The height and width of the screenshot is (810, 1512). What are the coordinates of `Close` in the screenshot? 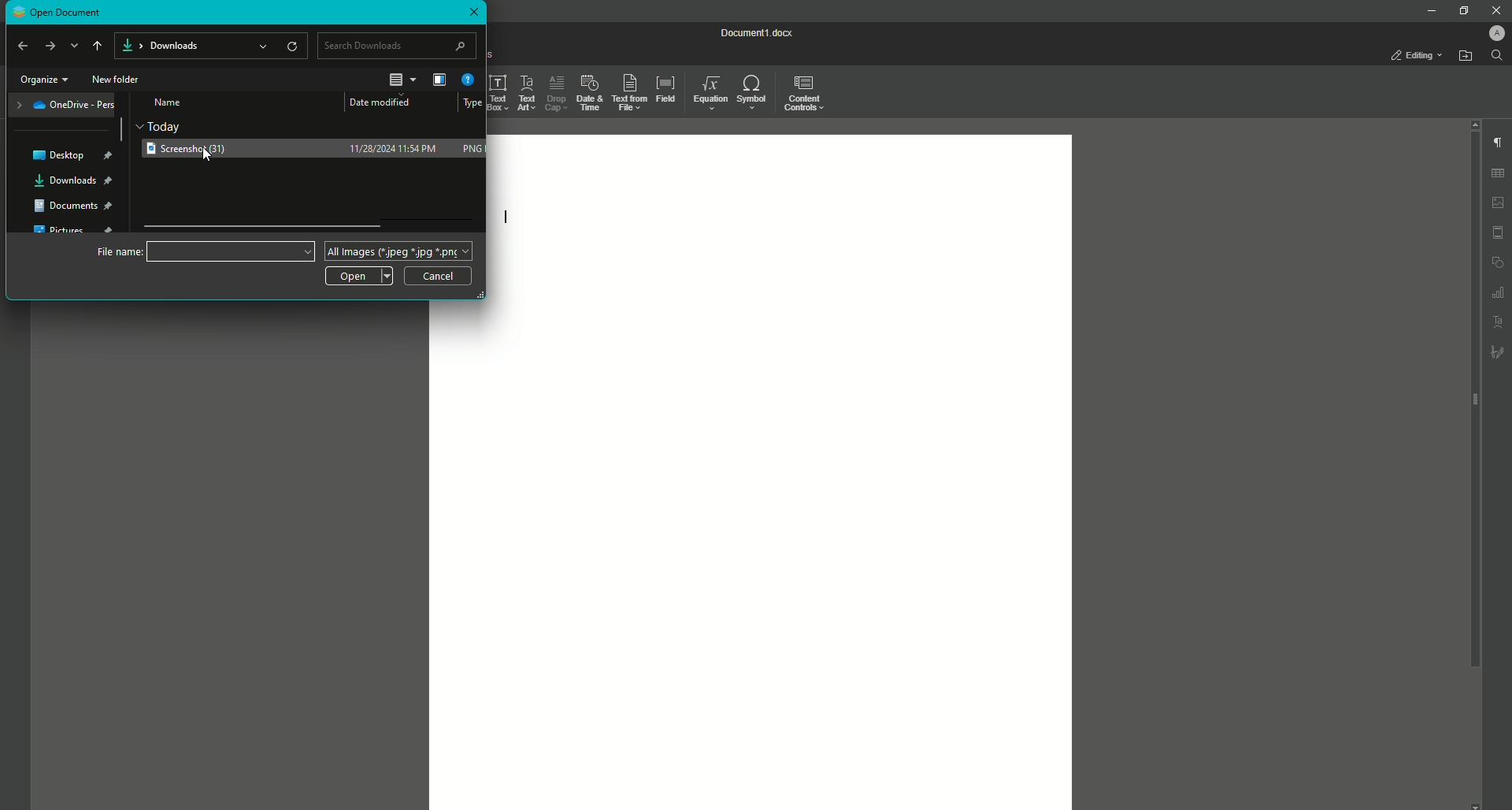 It's located at (474, 14).